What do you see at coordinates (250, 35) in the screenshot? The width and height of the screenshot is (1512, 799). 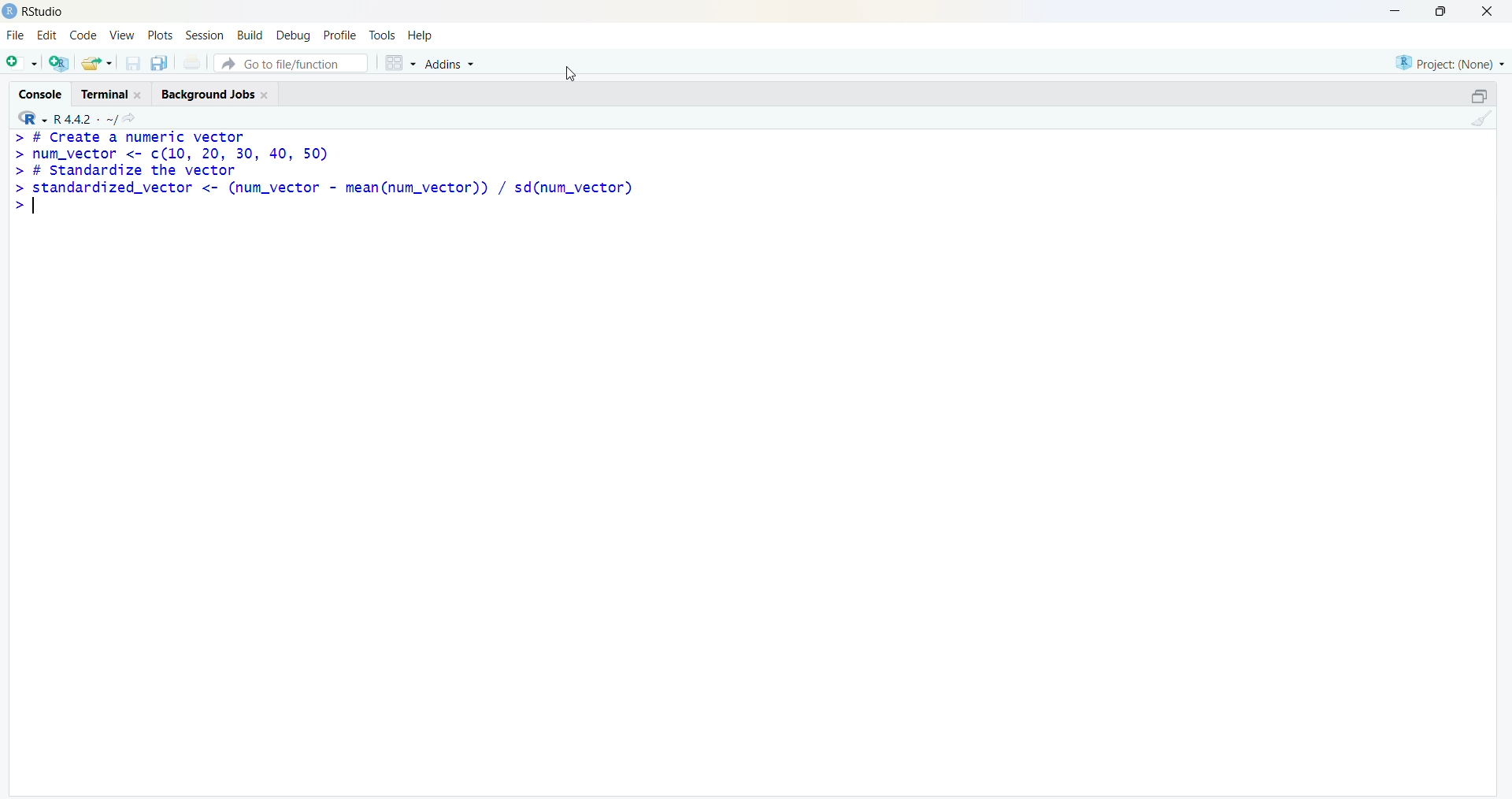 I see `build` at bounding box center [250, 35].